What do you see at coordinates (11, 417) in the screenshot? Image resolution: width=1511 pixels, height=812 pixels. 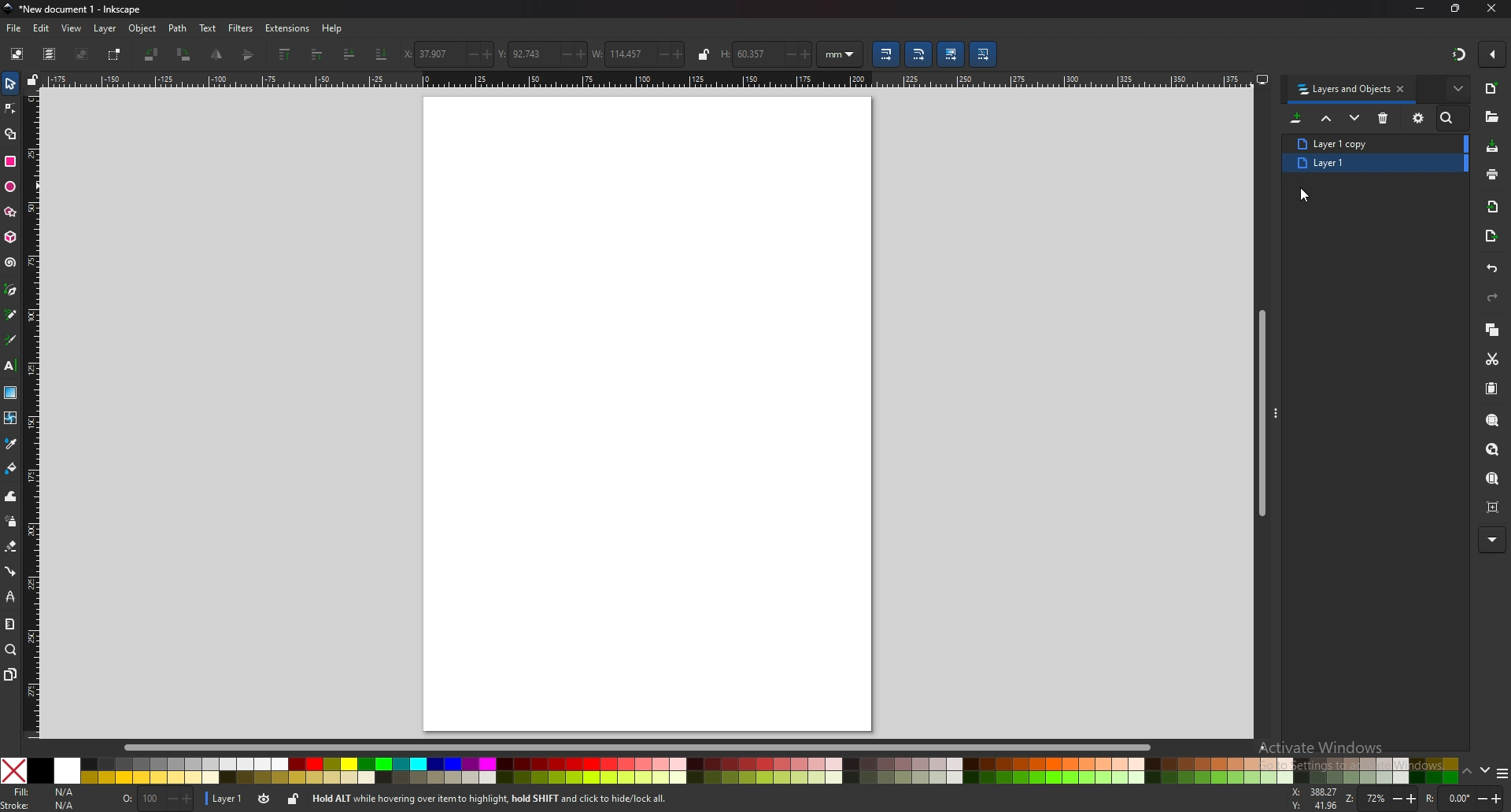 I see `mesh` at bounding box center [11, 417].